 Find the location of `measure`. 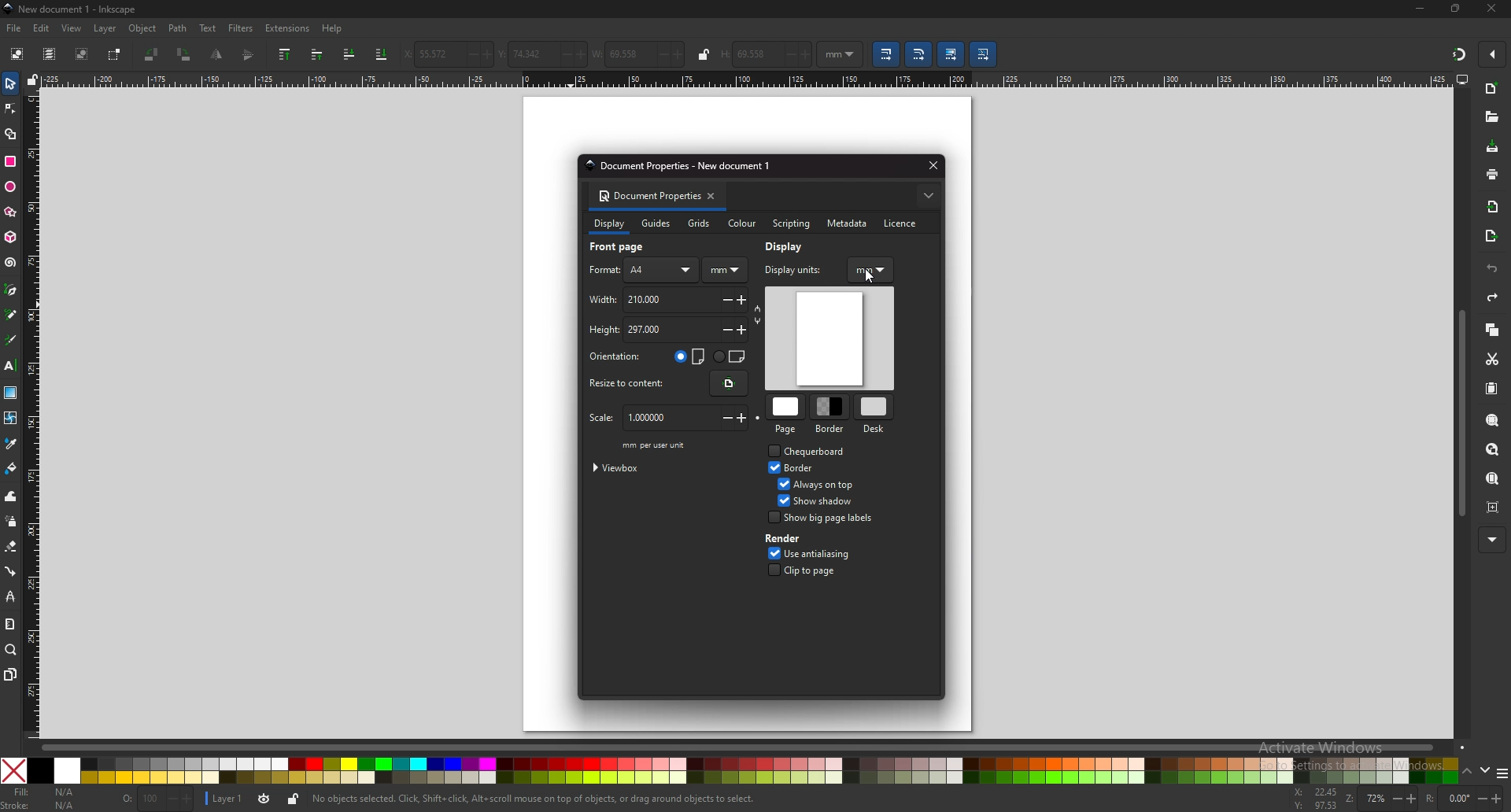

measure is located at coordinates (10, 624).